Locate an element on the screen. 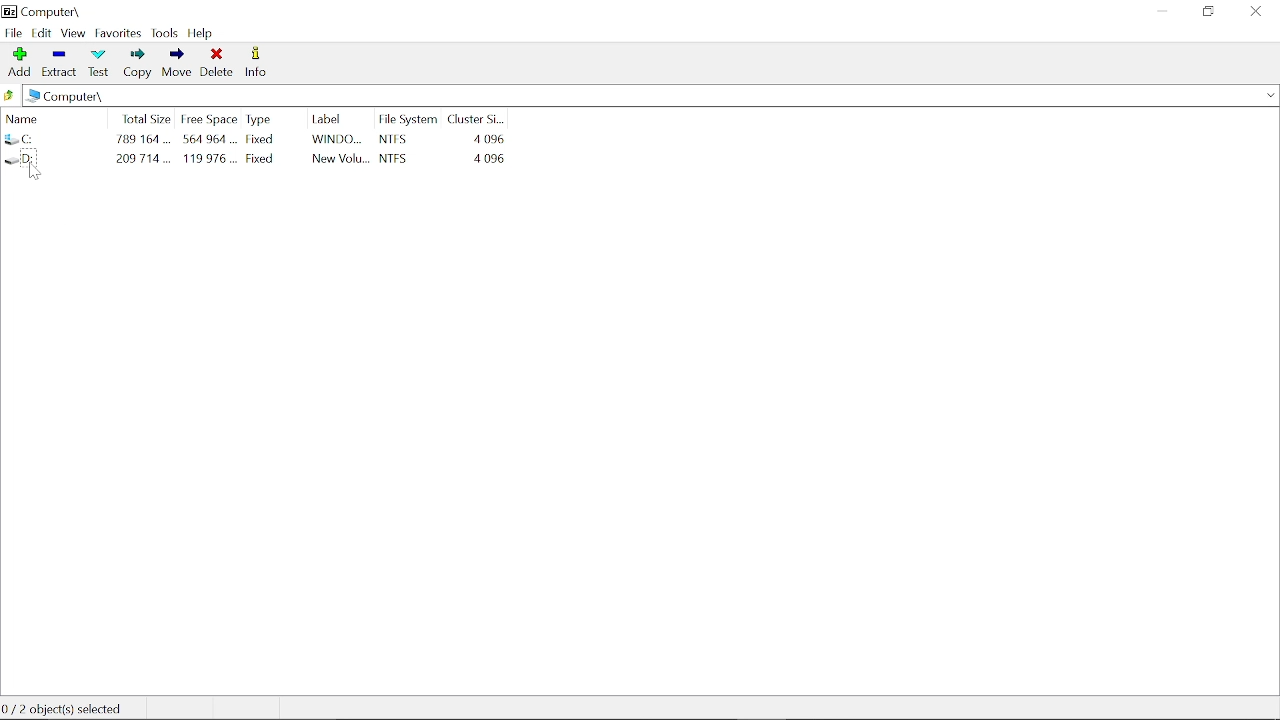 Image resolution: width=1280 pixels, height=720 pixels. close is located at coordinates (1254, 12).